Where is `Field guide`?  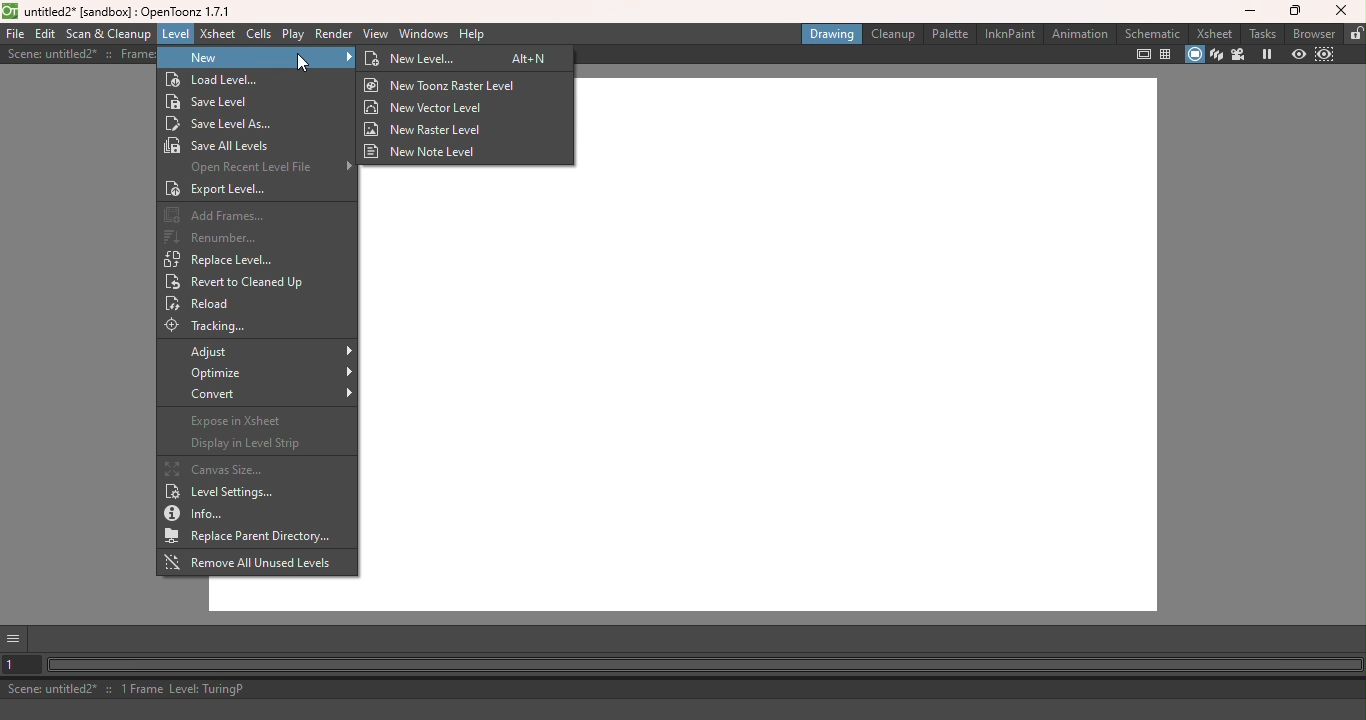 Field guide is located at coordinates (1168, 56).